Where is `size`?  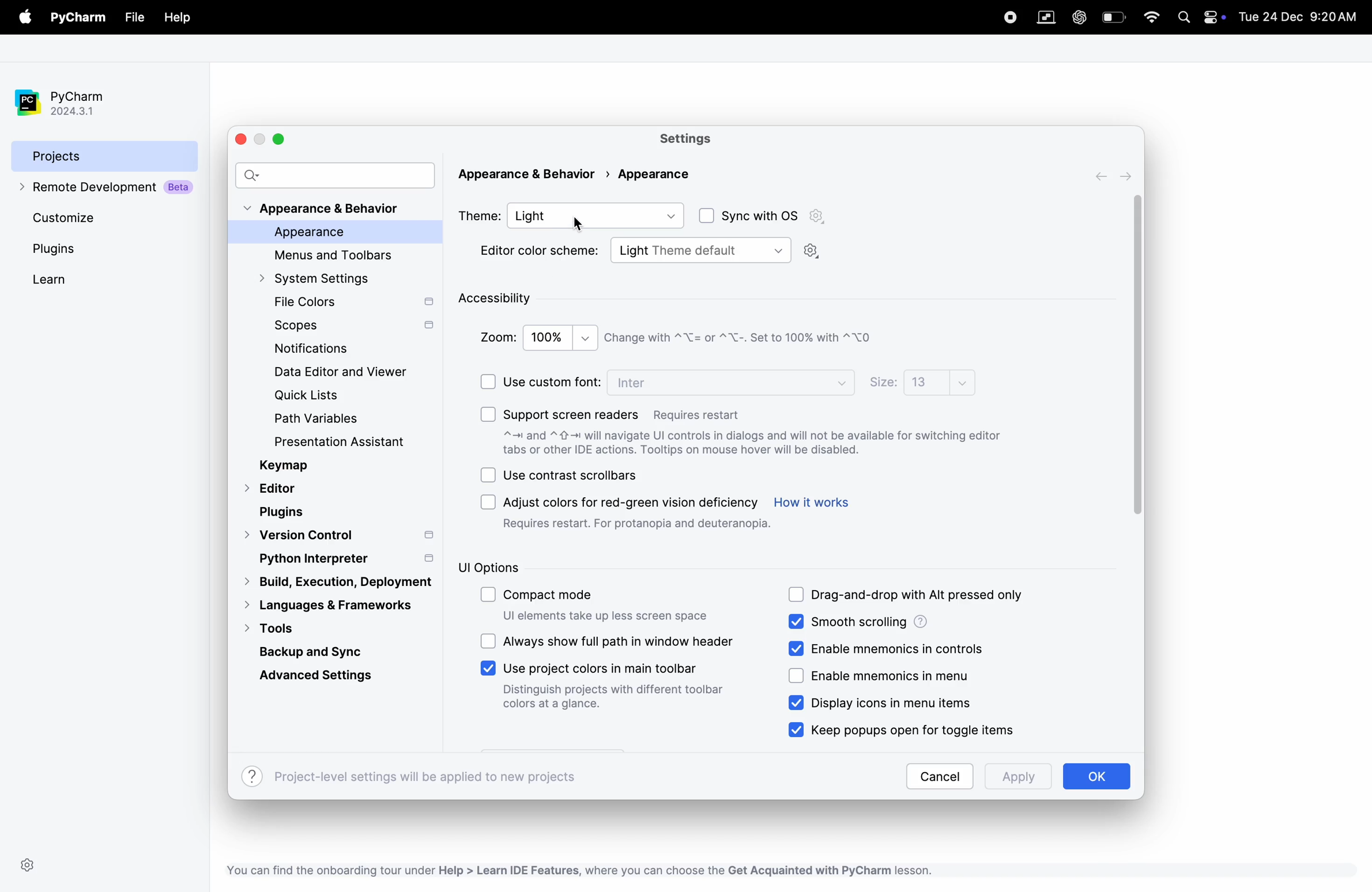 size is located at coordinates (883, 383).